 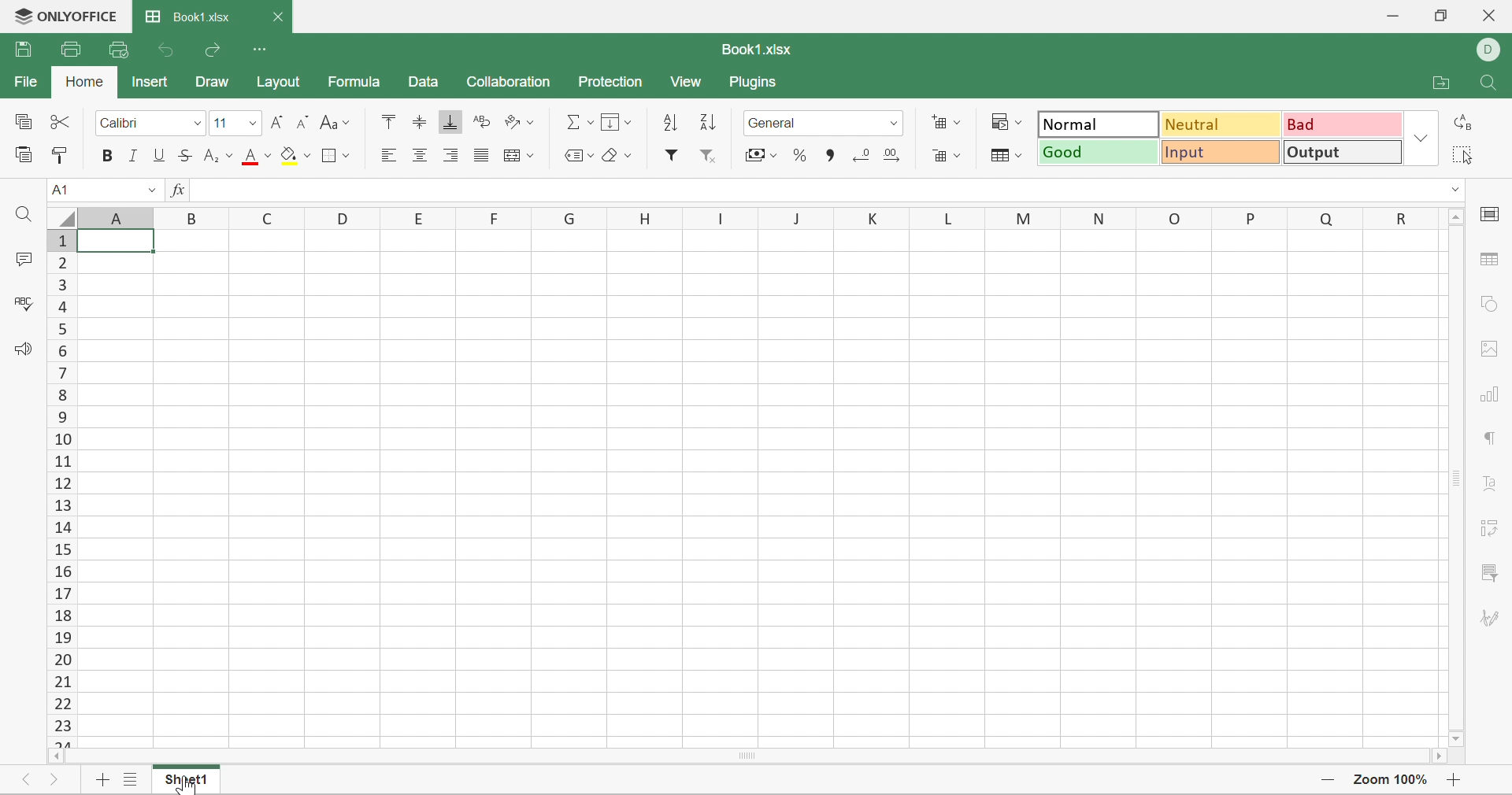 What do you see at coordinates (279, 124) in the screenshot?
I see `Increase font size` at bounding box center [279, 124].